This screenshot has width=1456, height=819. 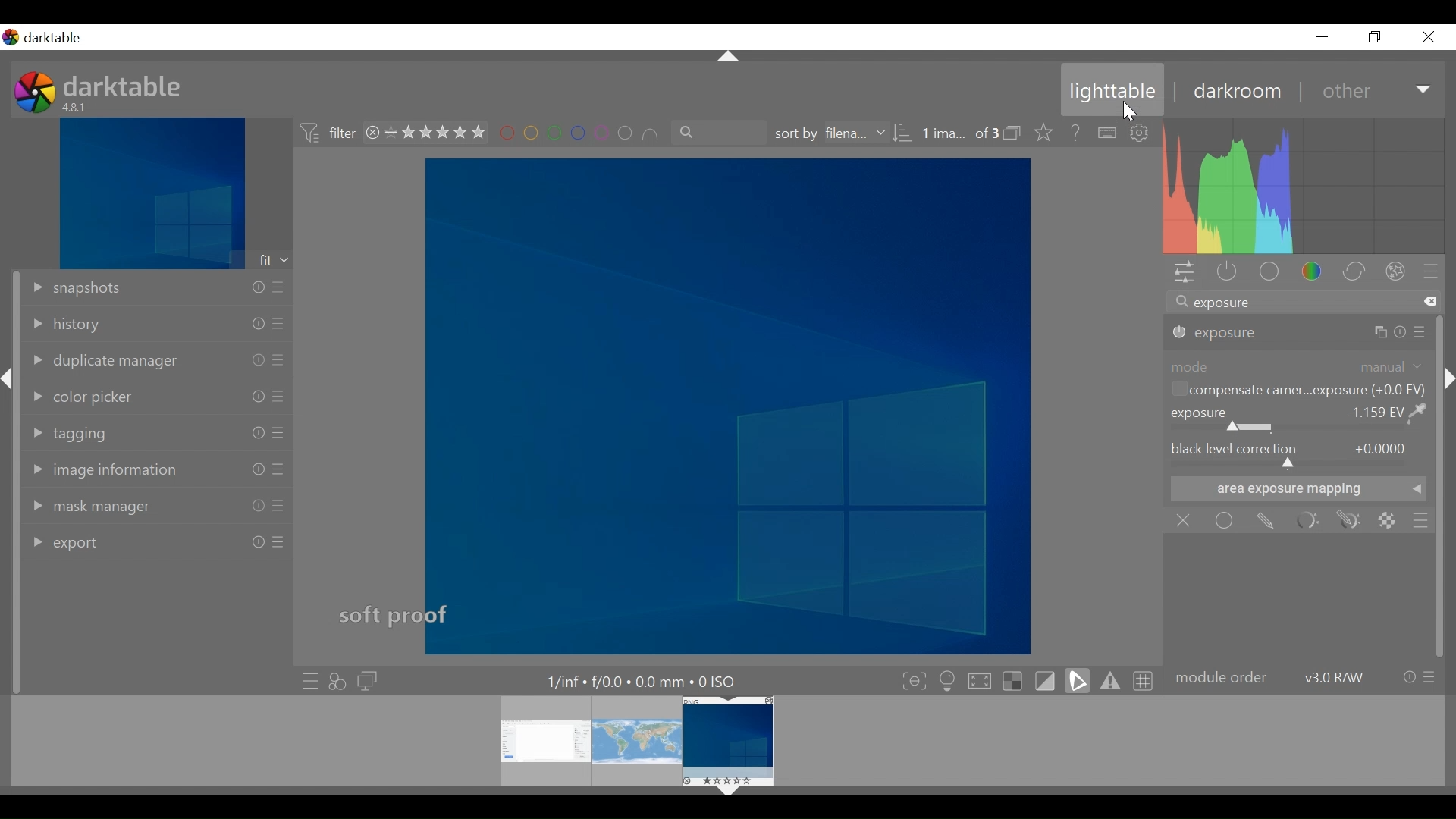 I want to click on logo, so click(x=11, y=37).